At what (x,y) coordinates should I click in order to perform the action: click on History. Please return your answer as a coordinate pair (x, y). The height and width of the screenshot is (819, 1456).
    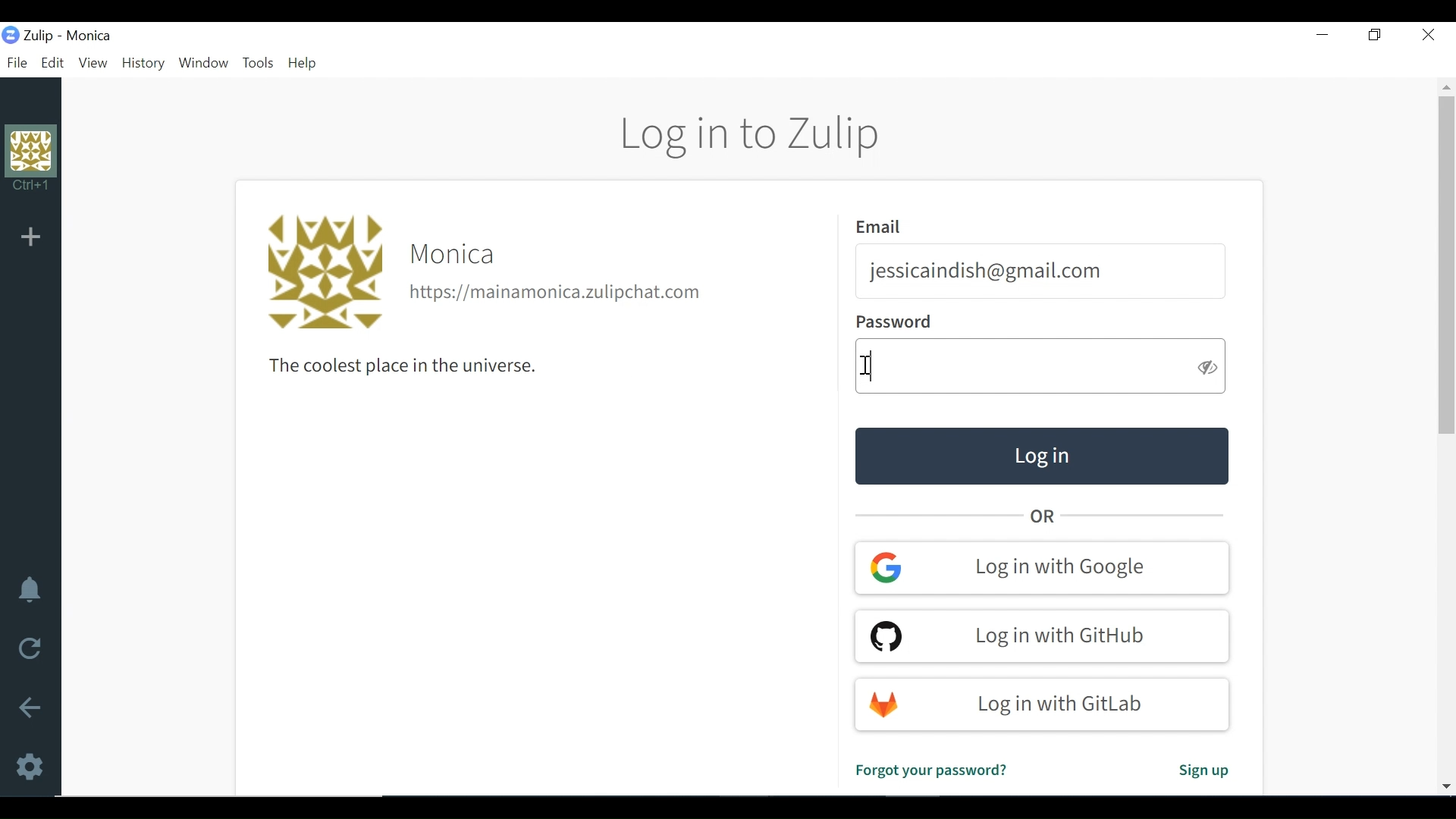
    Looking at the image, I should click on (145, 64).